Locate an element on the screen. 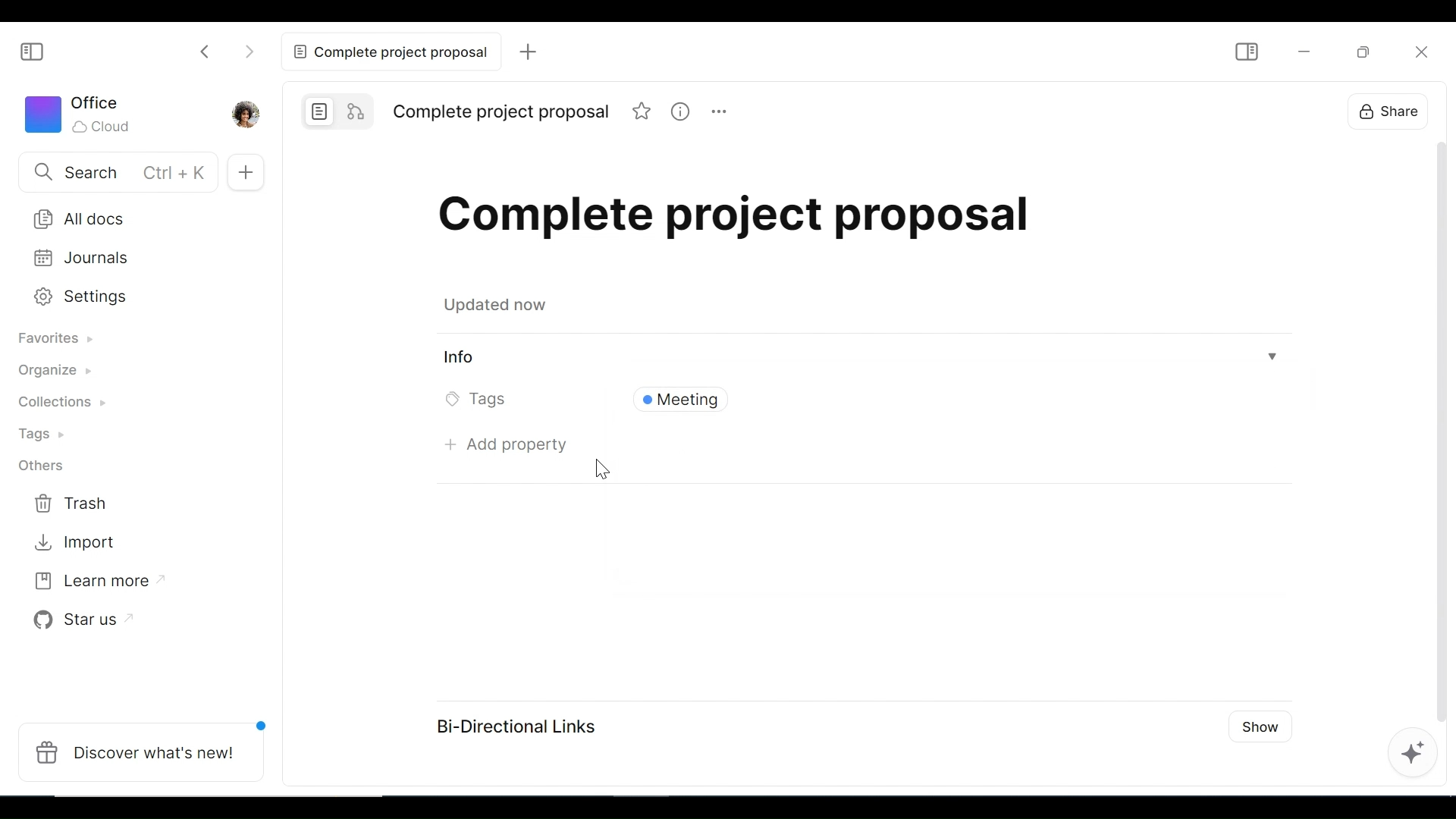 The image size is (1456, 819). View Information is located at coordinates (863, 358).